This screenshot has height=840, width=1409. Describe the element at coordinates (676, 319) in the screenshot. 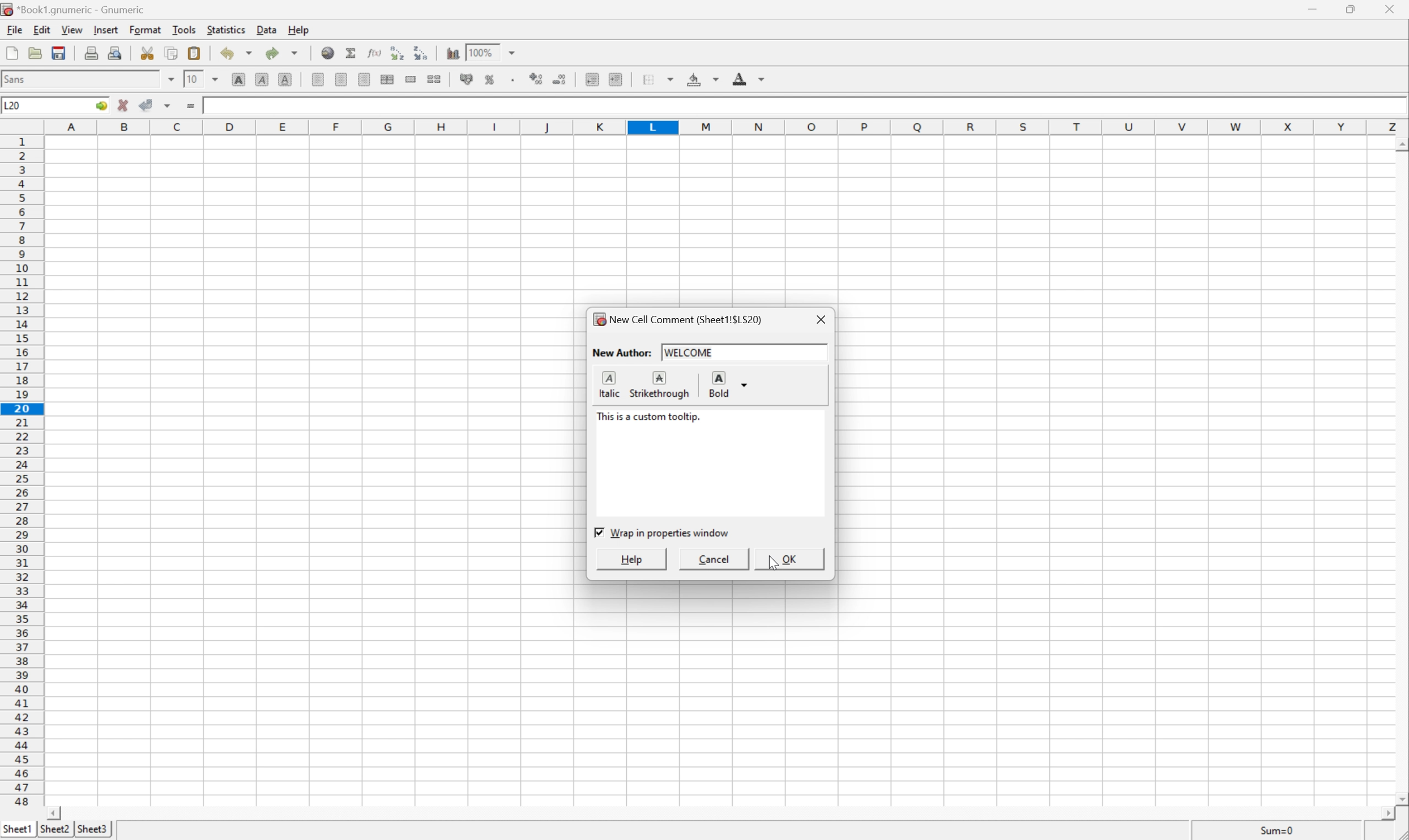

I see `New Cell Comment (Sheet1!$L$20)` at that location.